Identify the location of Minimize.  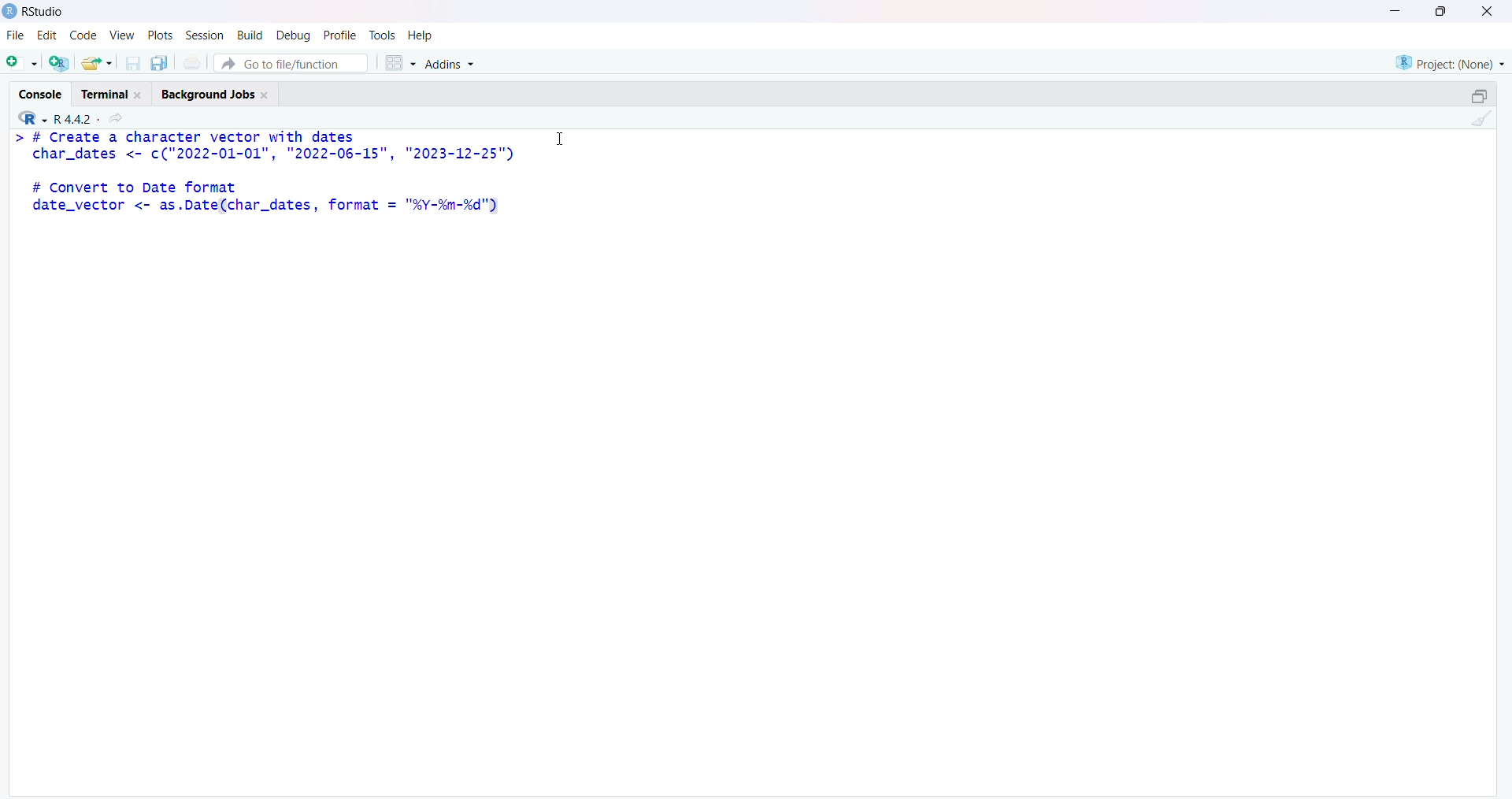
(1399, 9).